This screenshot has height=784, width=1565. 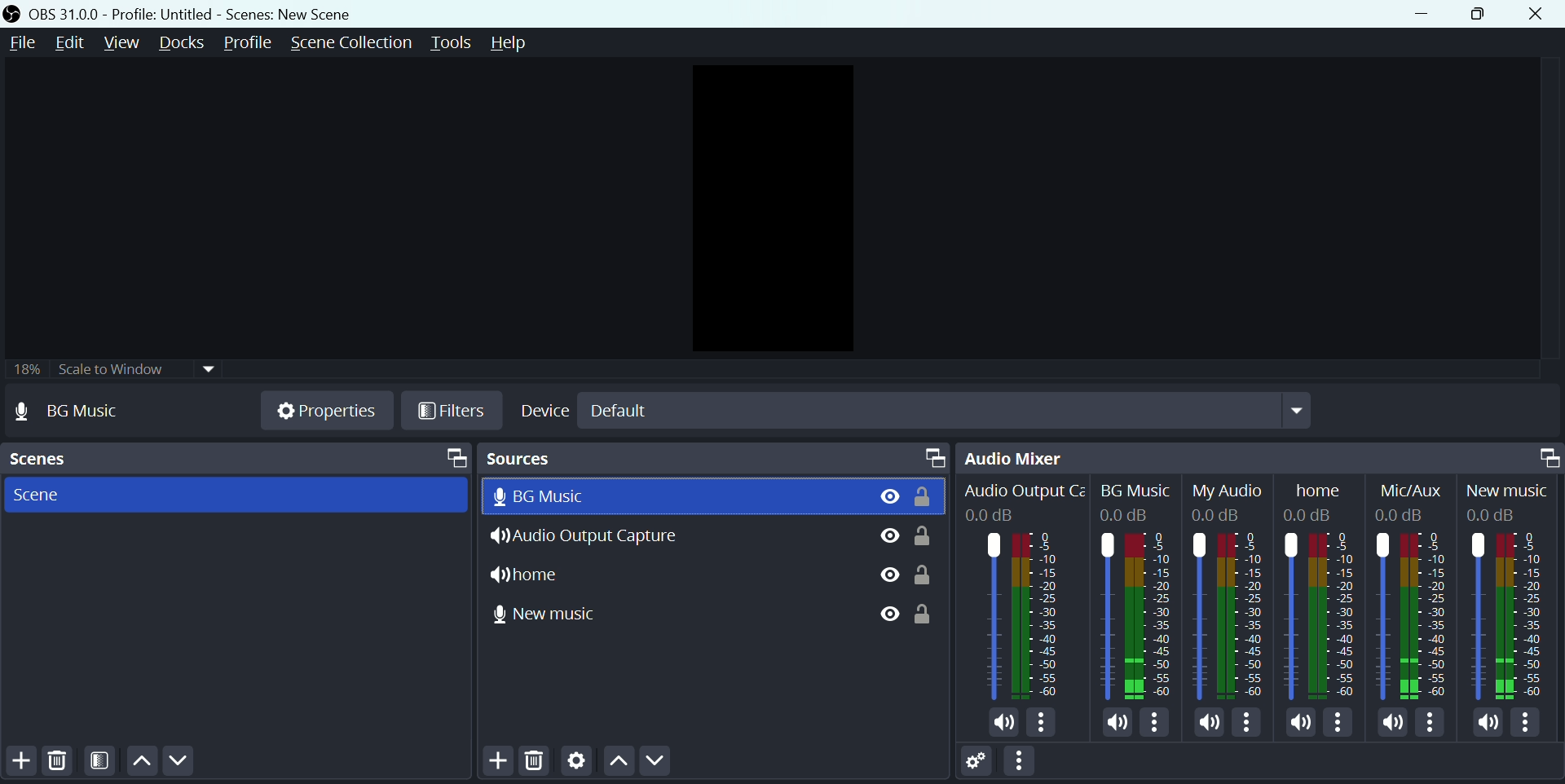 What do you see at coordinates (55, 764) in the screenshot?
I see `Delete` at bounding box center [55, 764].